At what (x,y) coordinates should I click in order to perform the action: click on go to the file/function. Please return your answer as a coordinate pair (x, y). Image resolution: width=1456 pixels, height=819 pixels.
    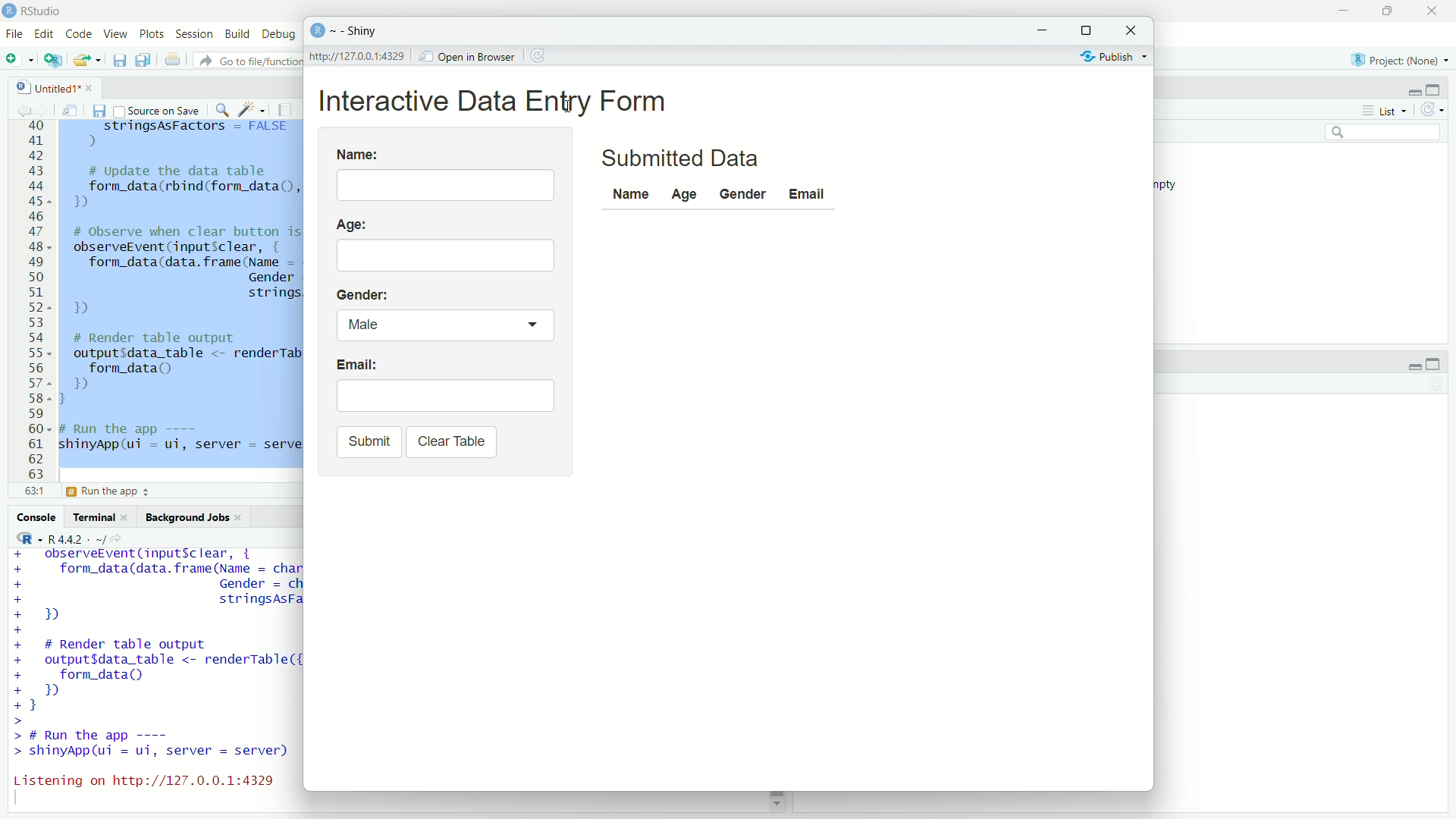
    Looking at the image, I should click on (247, 60).